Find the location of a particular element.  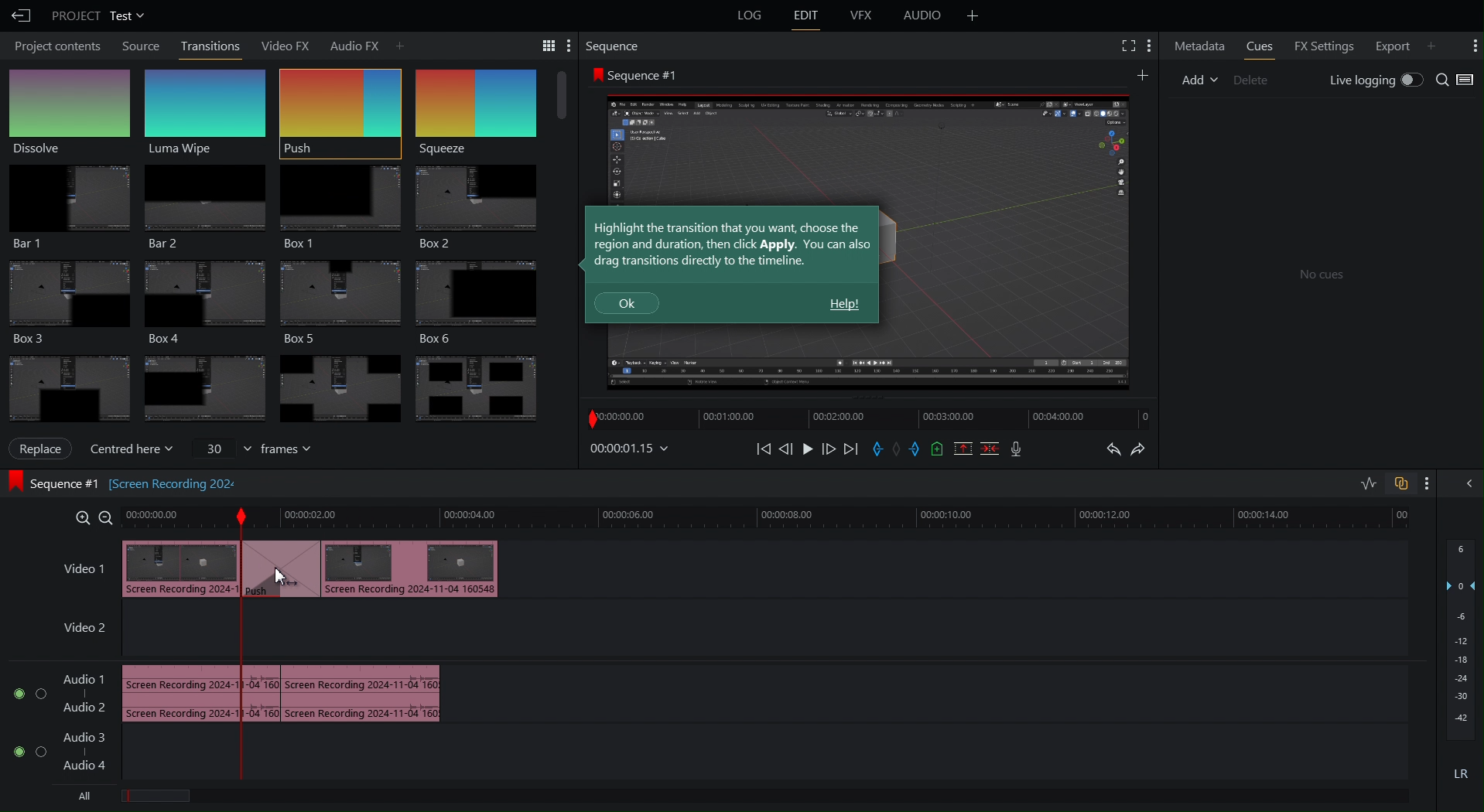

Sequence #1 [Screen recording 202] is located at coordinates (51, 483).